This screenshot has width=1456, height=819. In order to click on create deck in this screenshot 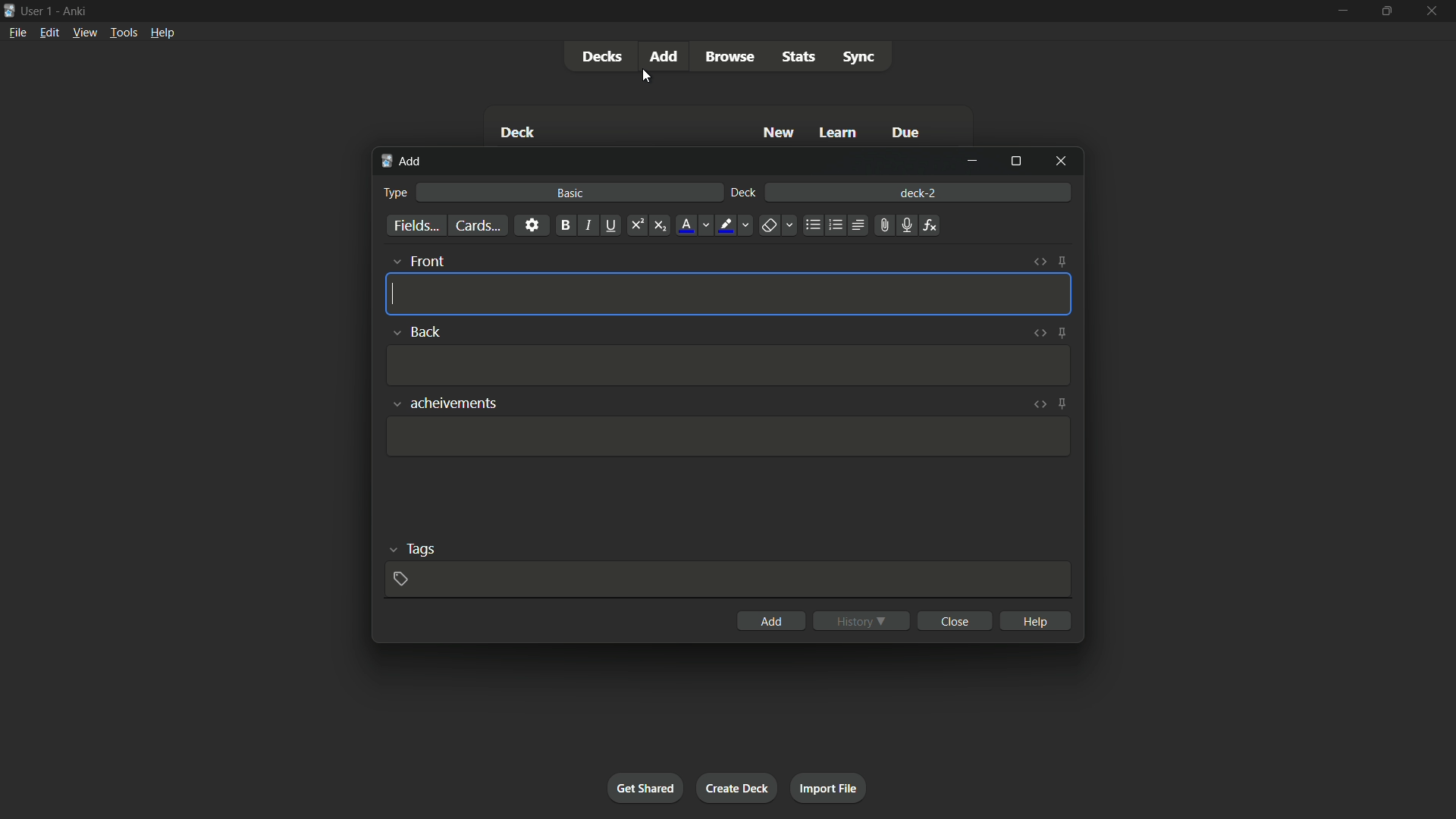, I will do `click(738, 787)`.